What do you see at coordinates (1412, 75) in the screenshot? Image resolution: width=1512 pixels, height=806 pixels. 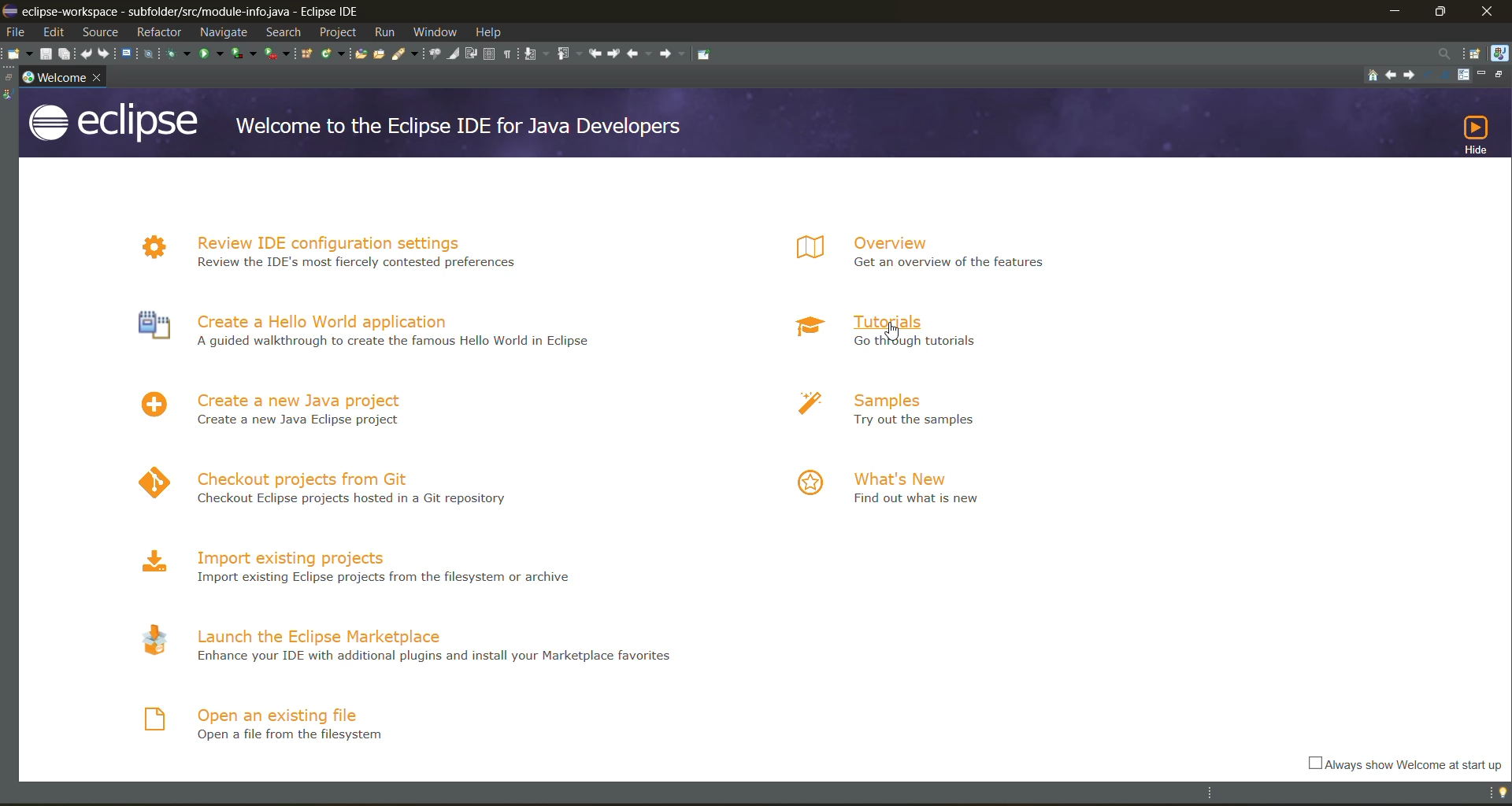 I see `navigate to next topic` at bounding box center [1412, 75].